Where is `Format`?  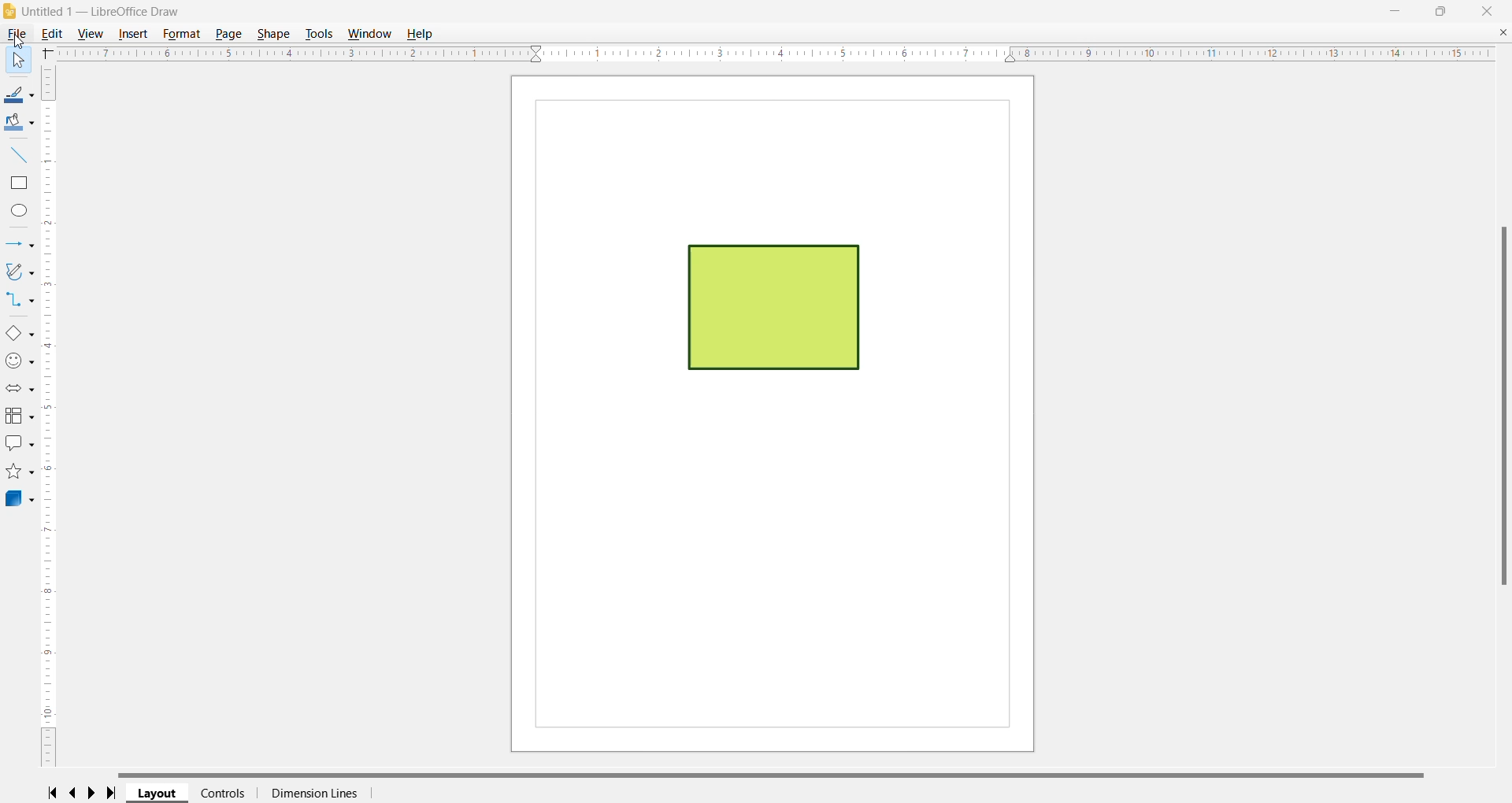
Format is located at coordinates (183, 34).